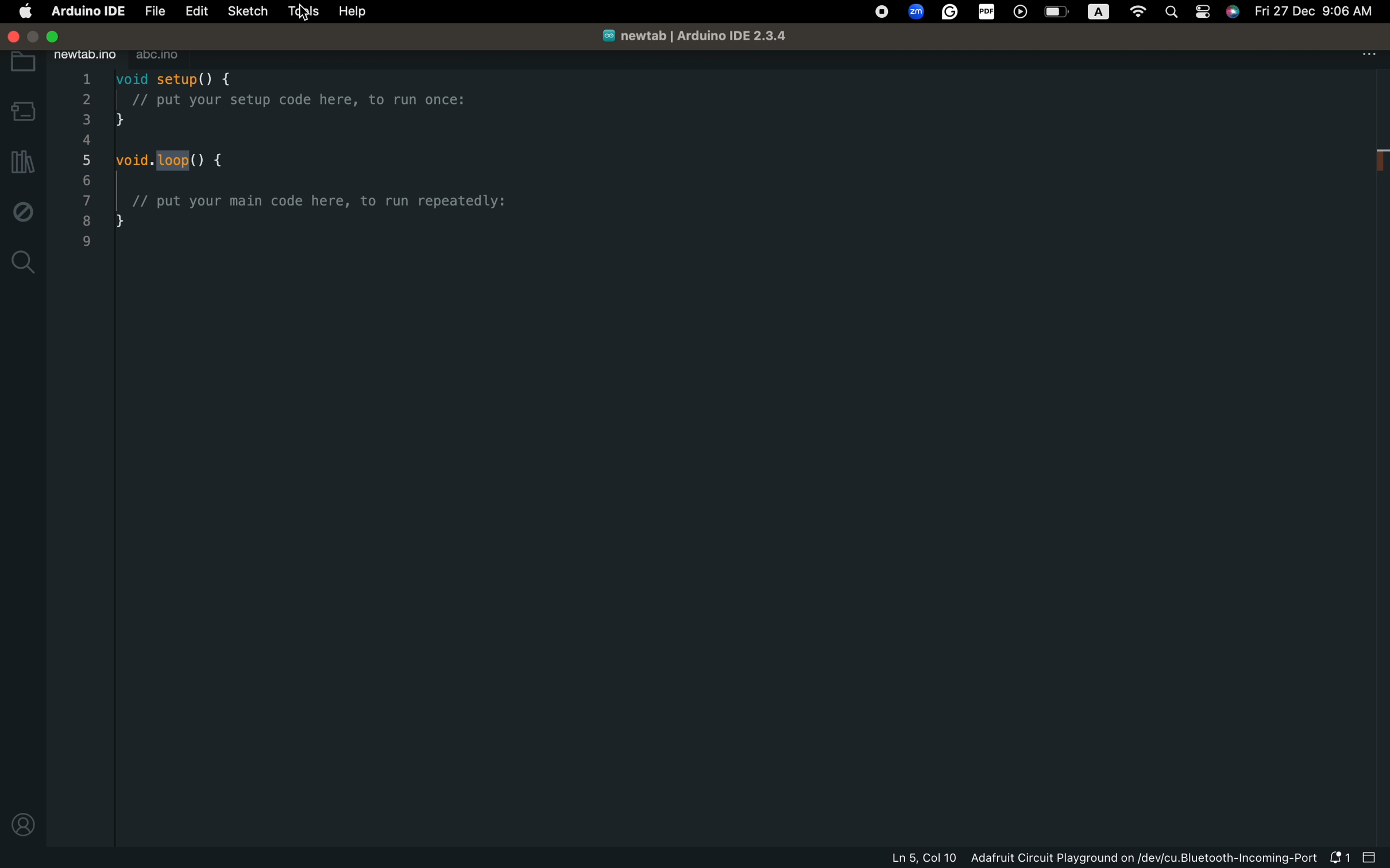 The width and height of the screenshot is (1390, 868). What do you see at coordinates (1024, 11) in the screenshot?
I see `player` at bounding box center [1024, 11].